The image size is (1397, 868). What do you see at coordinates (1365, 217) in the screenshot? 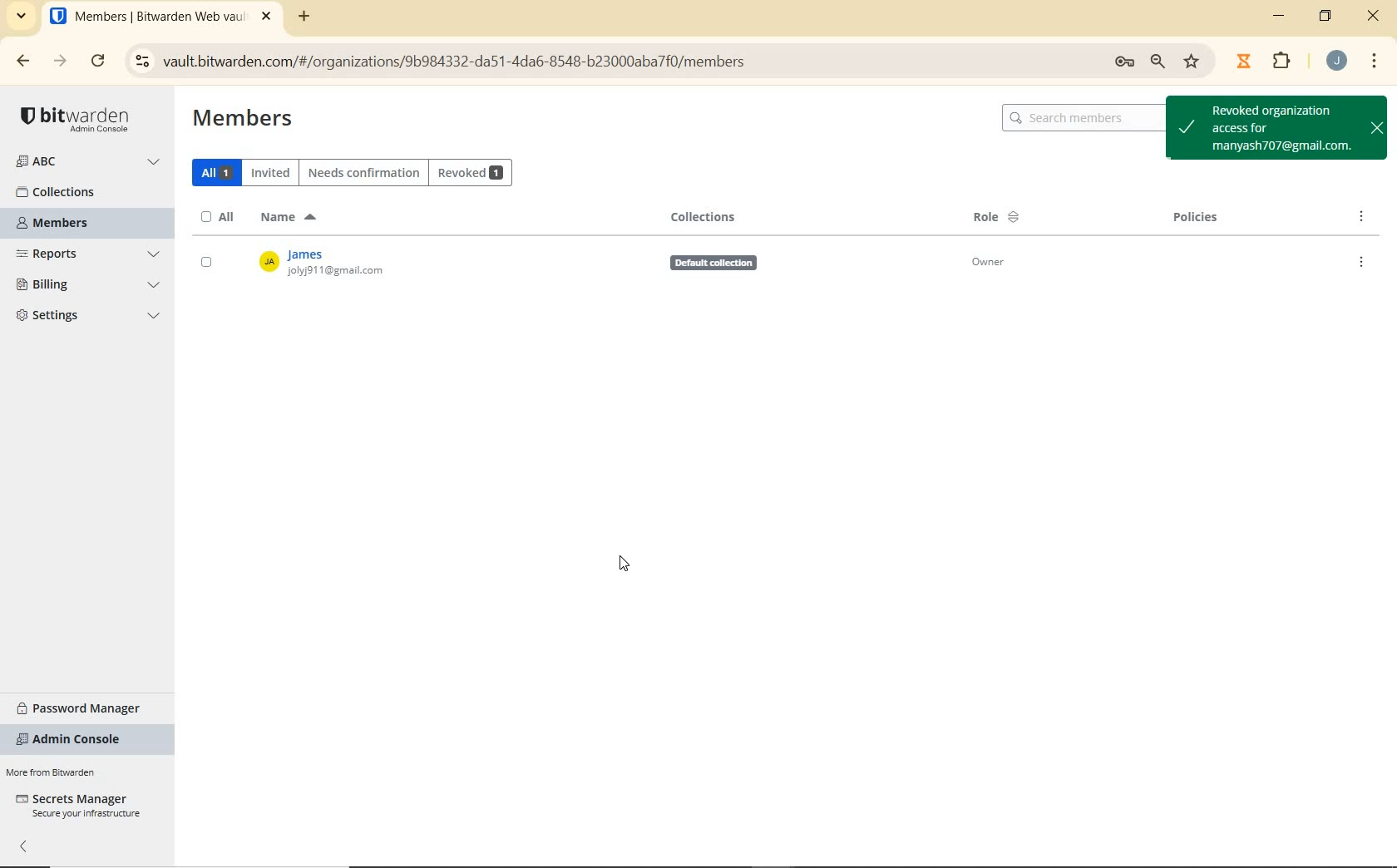
I see `OPTIONS` at bounding box center [1365, 217].